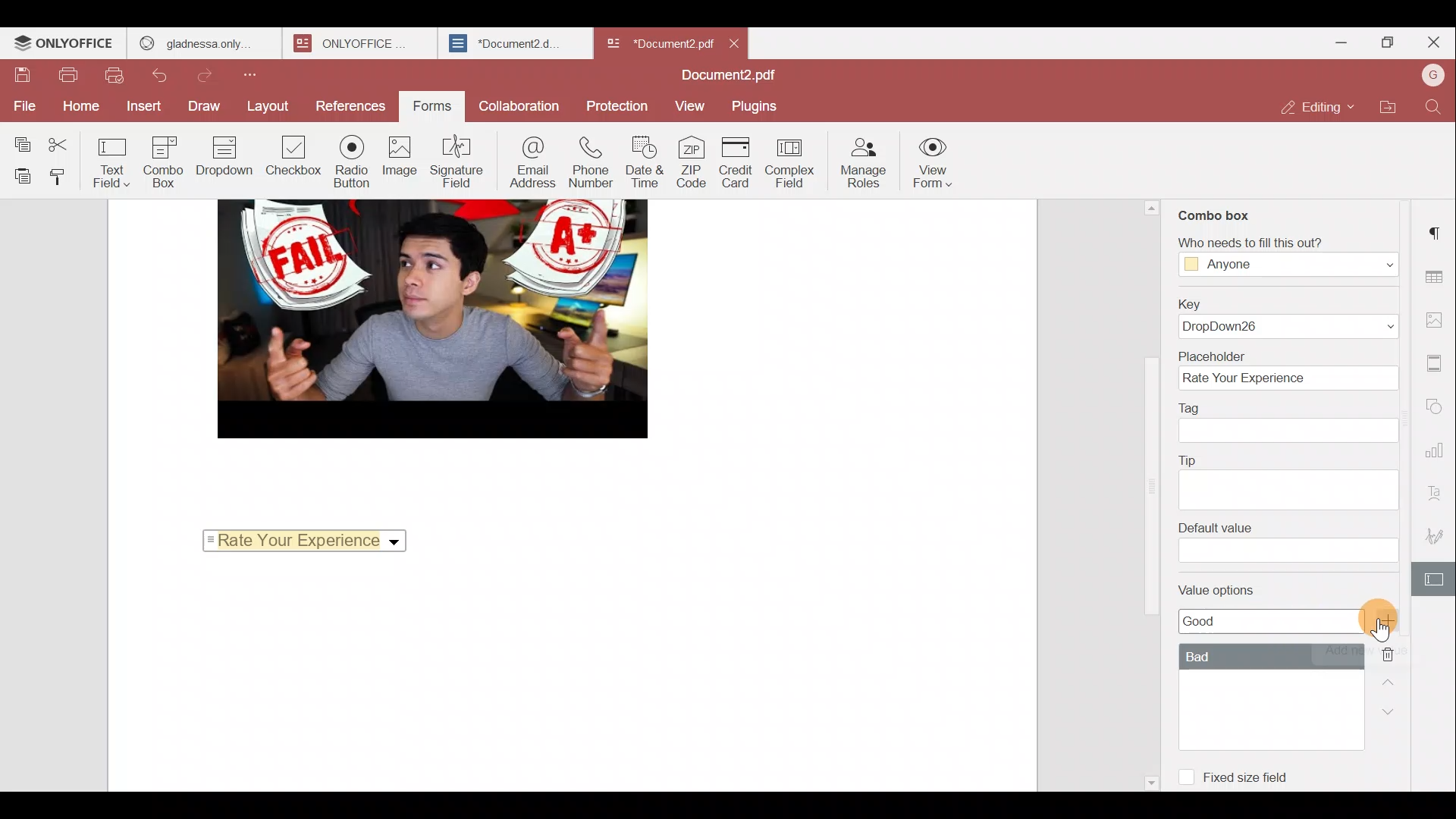 This screenshot has width=1456, height=819. I want to click on Up, so click(1389, 687).